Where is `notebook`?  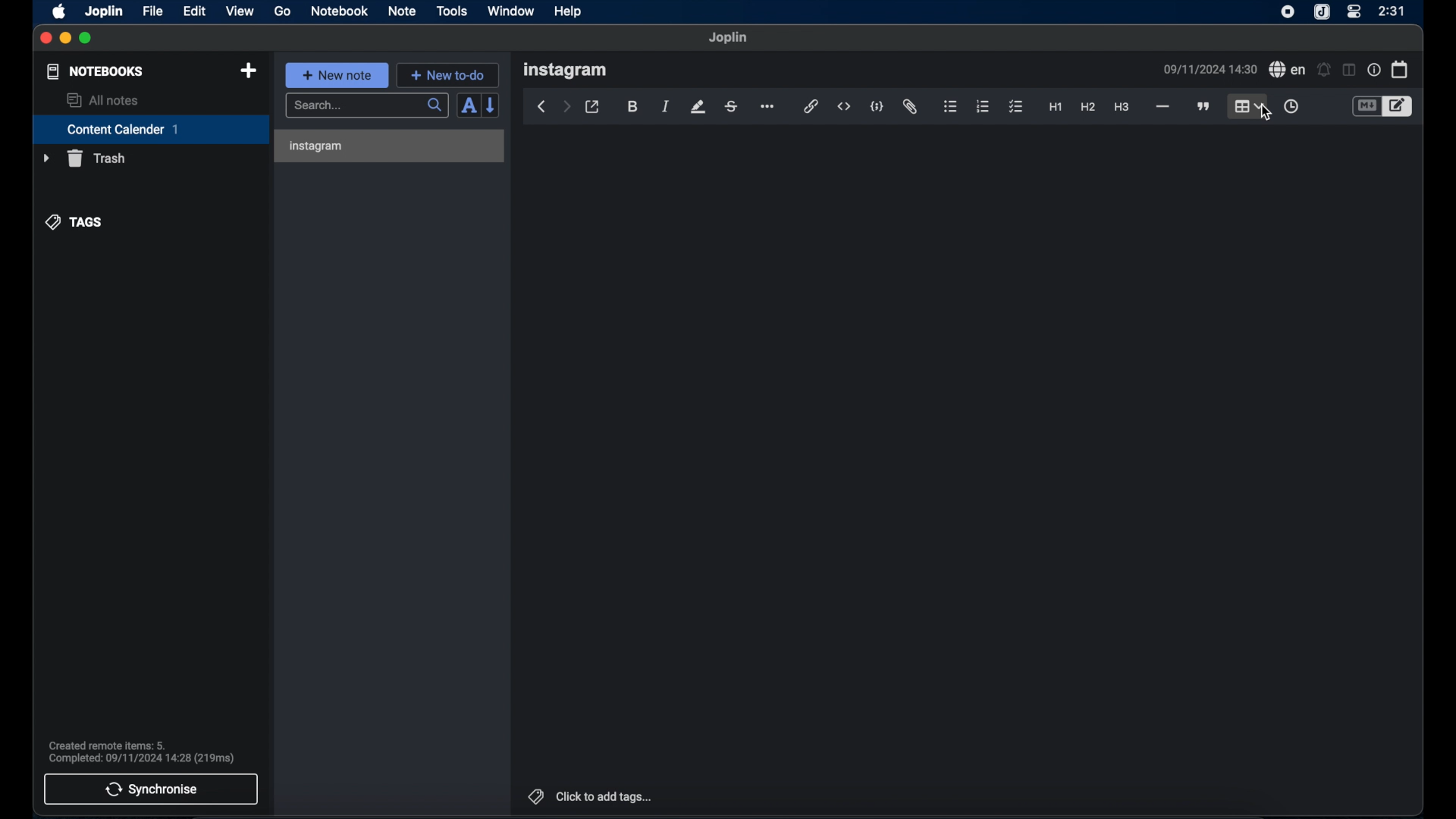
notebook is located at coordinates (338, 11).